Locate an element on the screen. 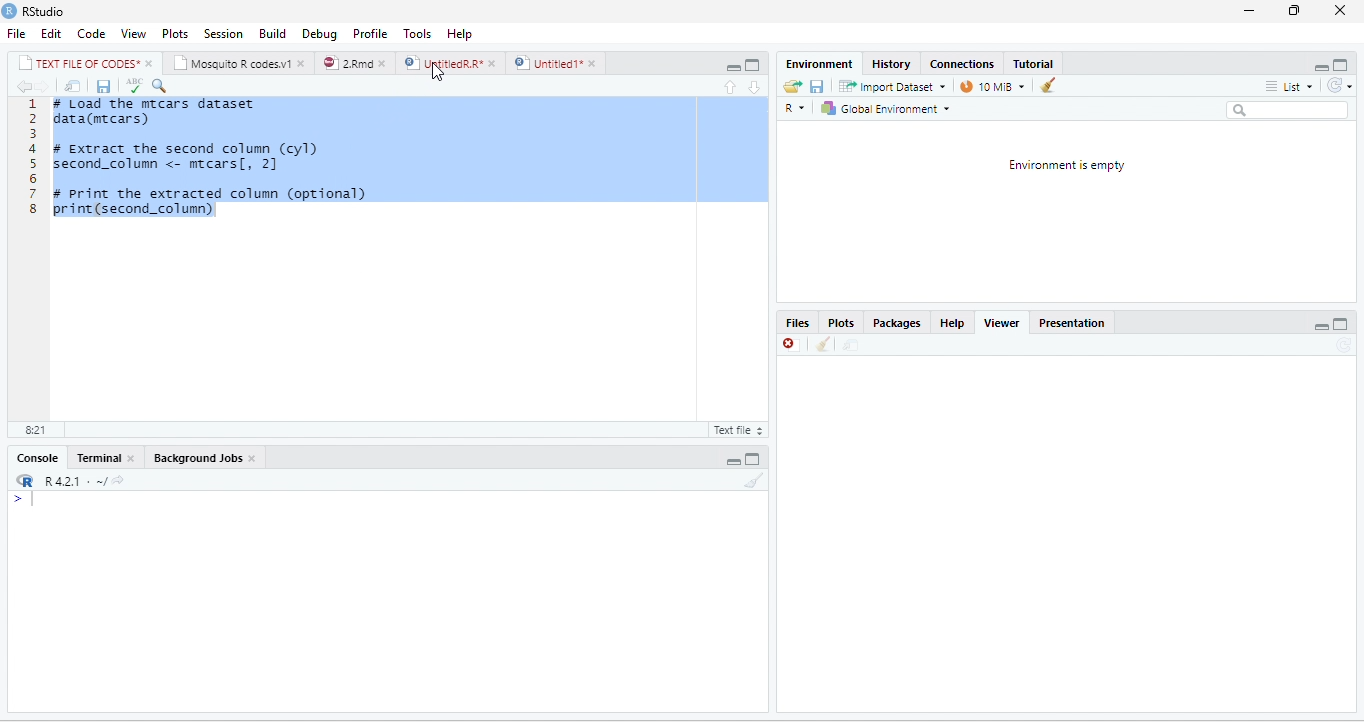  previous  is located at coordinates (22, 86).